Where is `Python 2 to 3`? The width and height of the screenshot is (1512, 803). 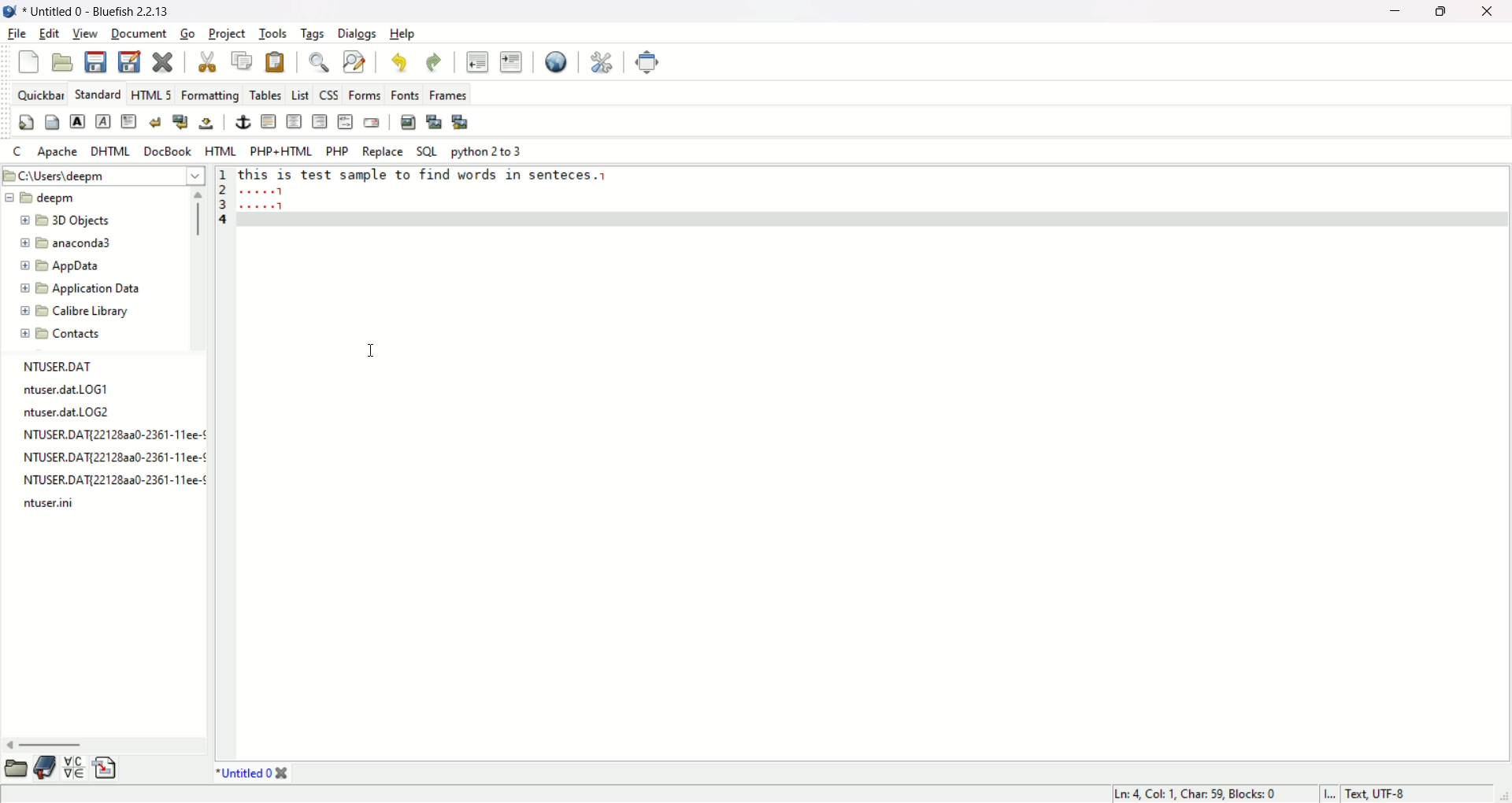
Python 2 to 3 is located at coordinates (495, 151).